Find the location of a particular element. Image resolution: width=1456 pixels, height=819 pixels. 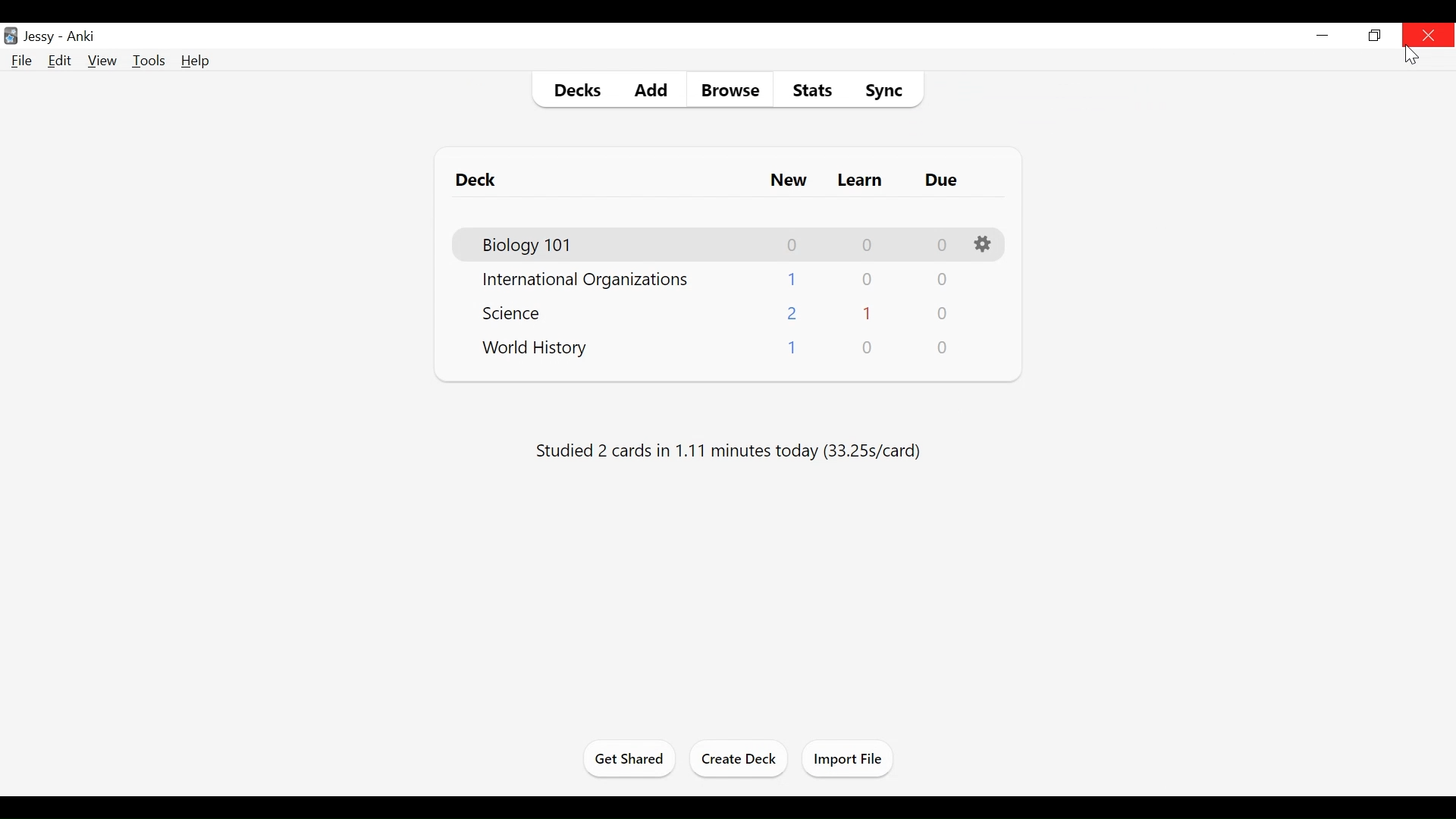

Studied number of cards in number of minutes today (s/cards) is located at coordinates (730, 450).